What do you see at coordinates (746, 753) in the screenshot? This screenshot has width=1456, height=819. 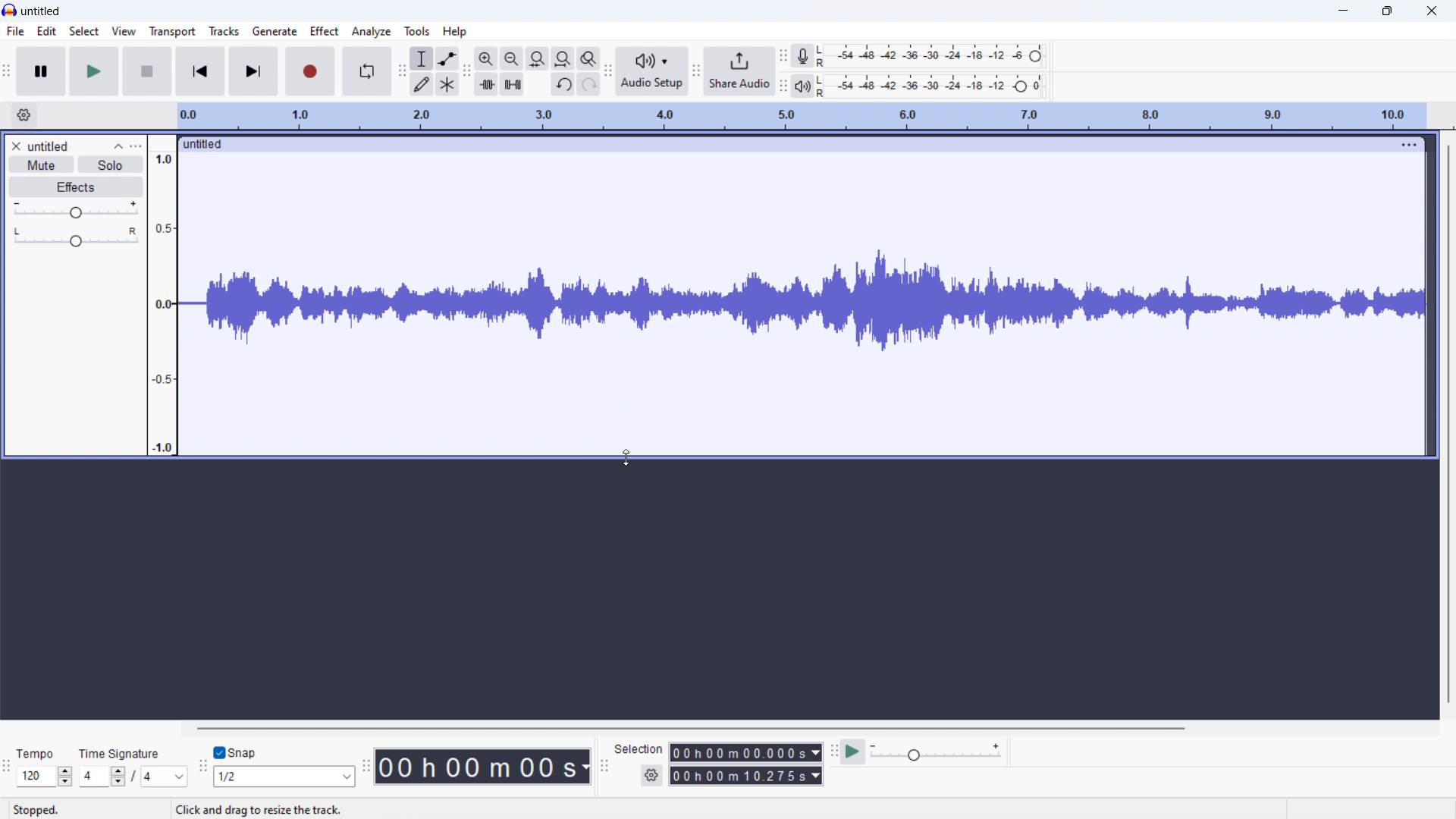 I see `start time` at bounding box center [746, 753].